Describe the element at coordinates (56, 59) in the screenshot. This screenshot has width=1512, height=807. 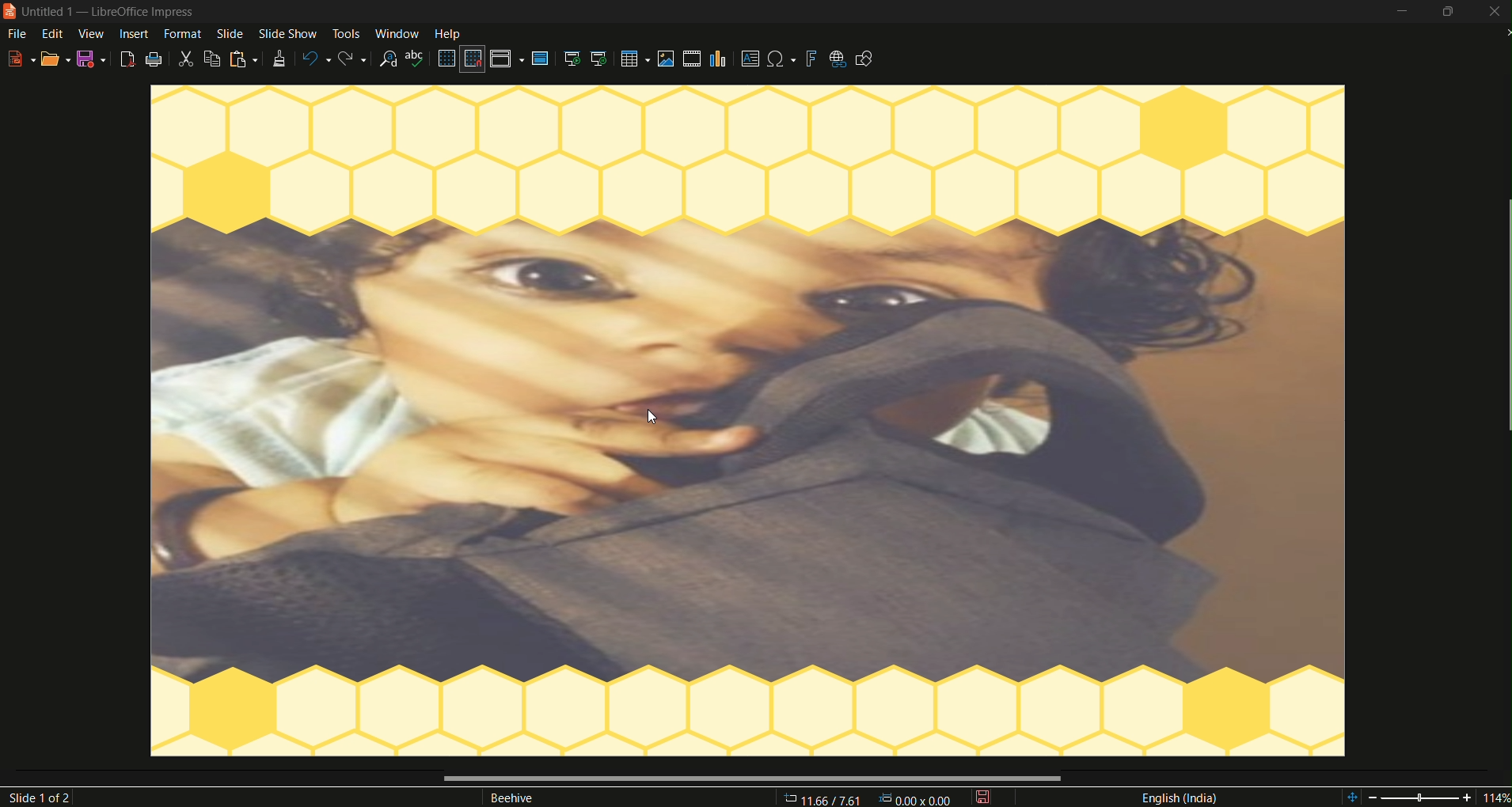
I see `open` at that location.